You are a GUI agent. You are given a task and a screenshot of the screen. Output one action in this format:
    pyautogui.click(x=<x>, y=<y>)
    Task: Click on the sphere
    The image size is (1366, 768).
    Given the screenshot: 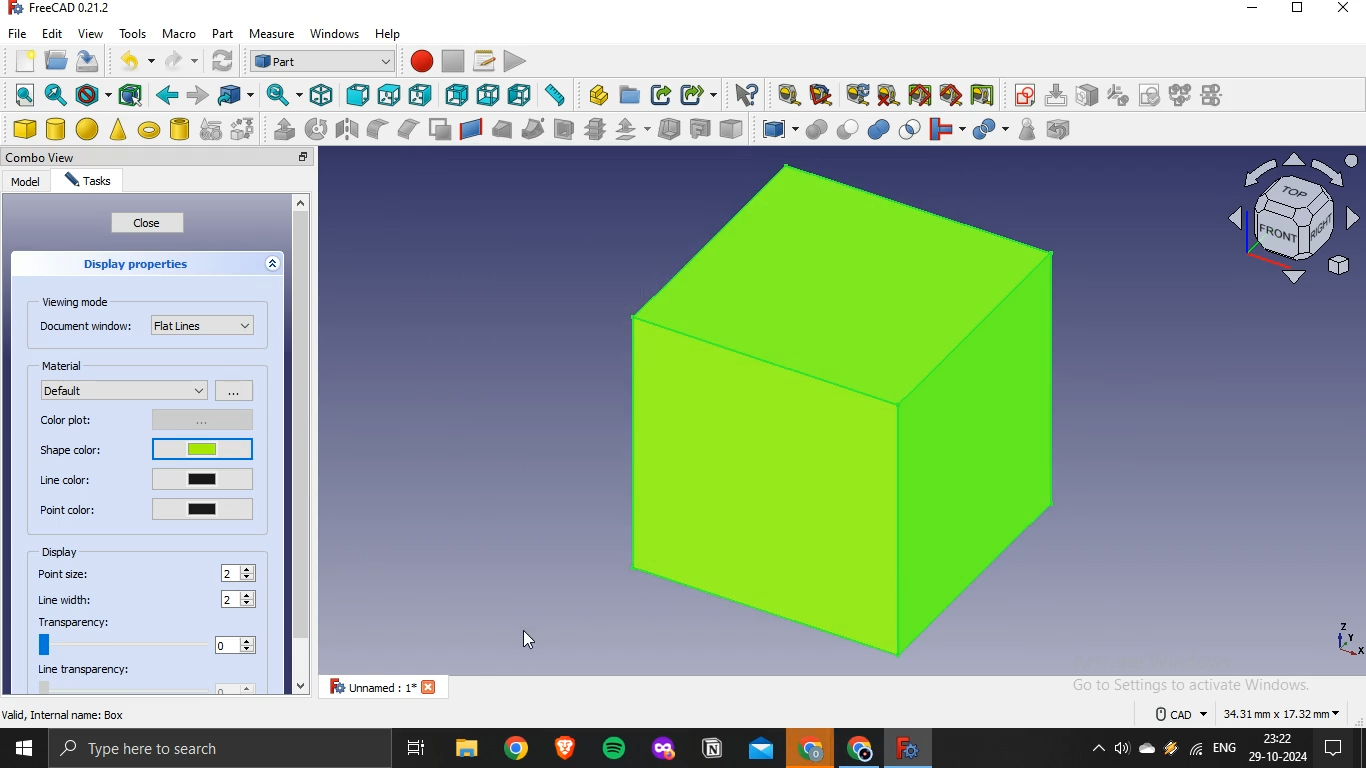 What is the action you would take?
    pyautogui.click(x=88, y=129)
    